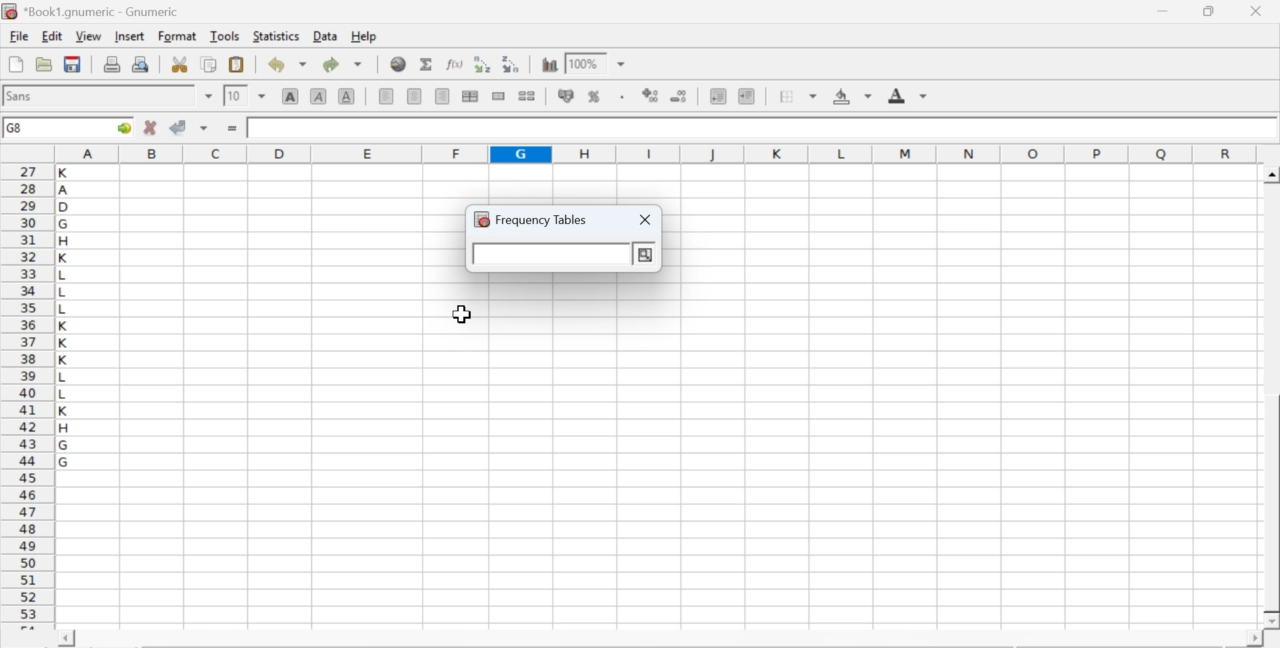 This screenshot has width=1280, height=648. Describe the element at coordinates (226, 35) in the screenshot. I see `tools` at that location.